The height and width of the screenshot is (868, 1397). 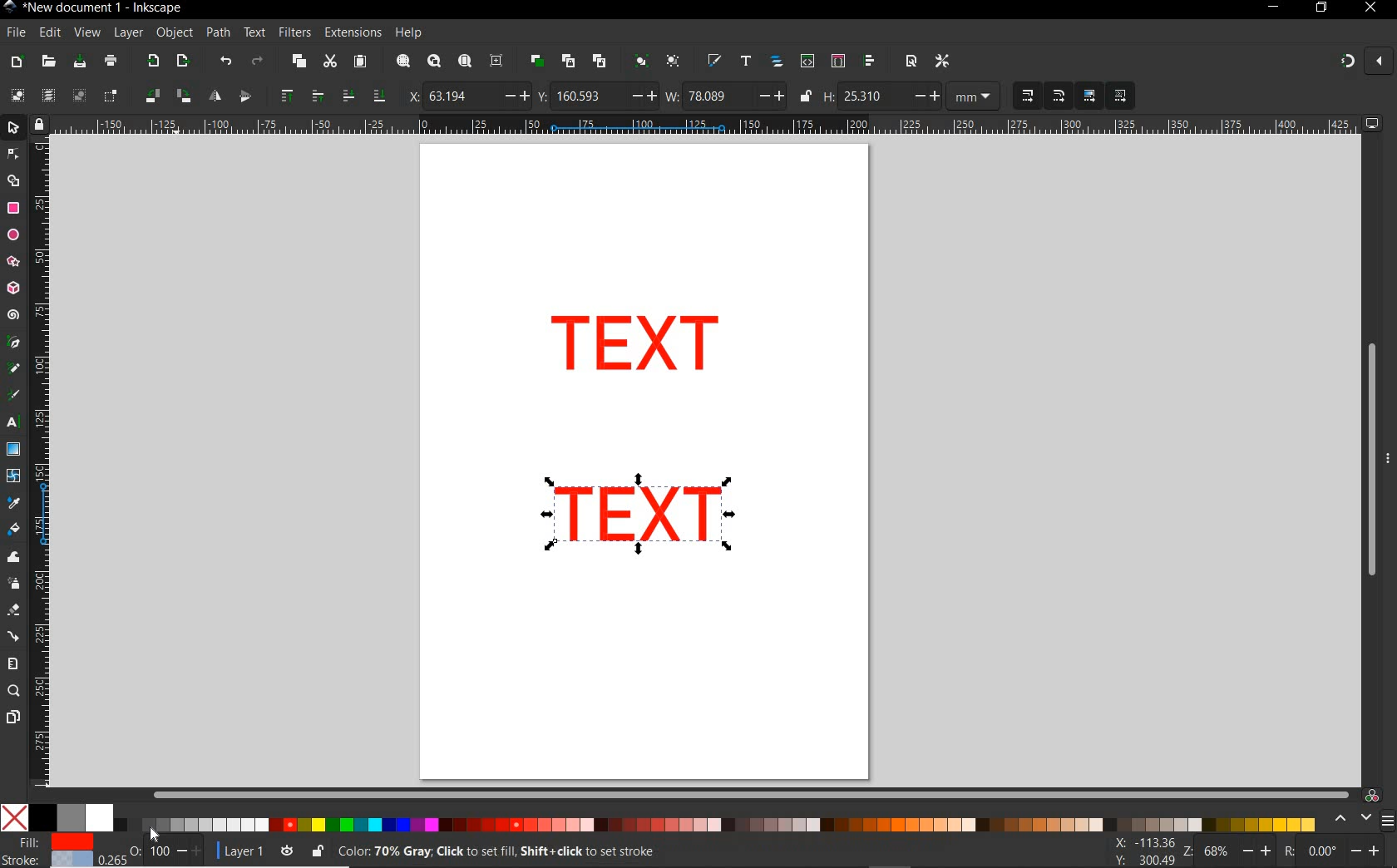 I want to click on color palette, so click(x=738, y=821).